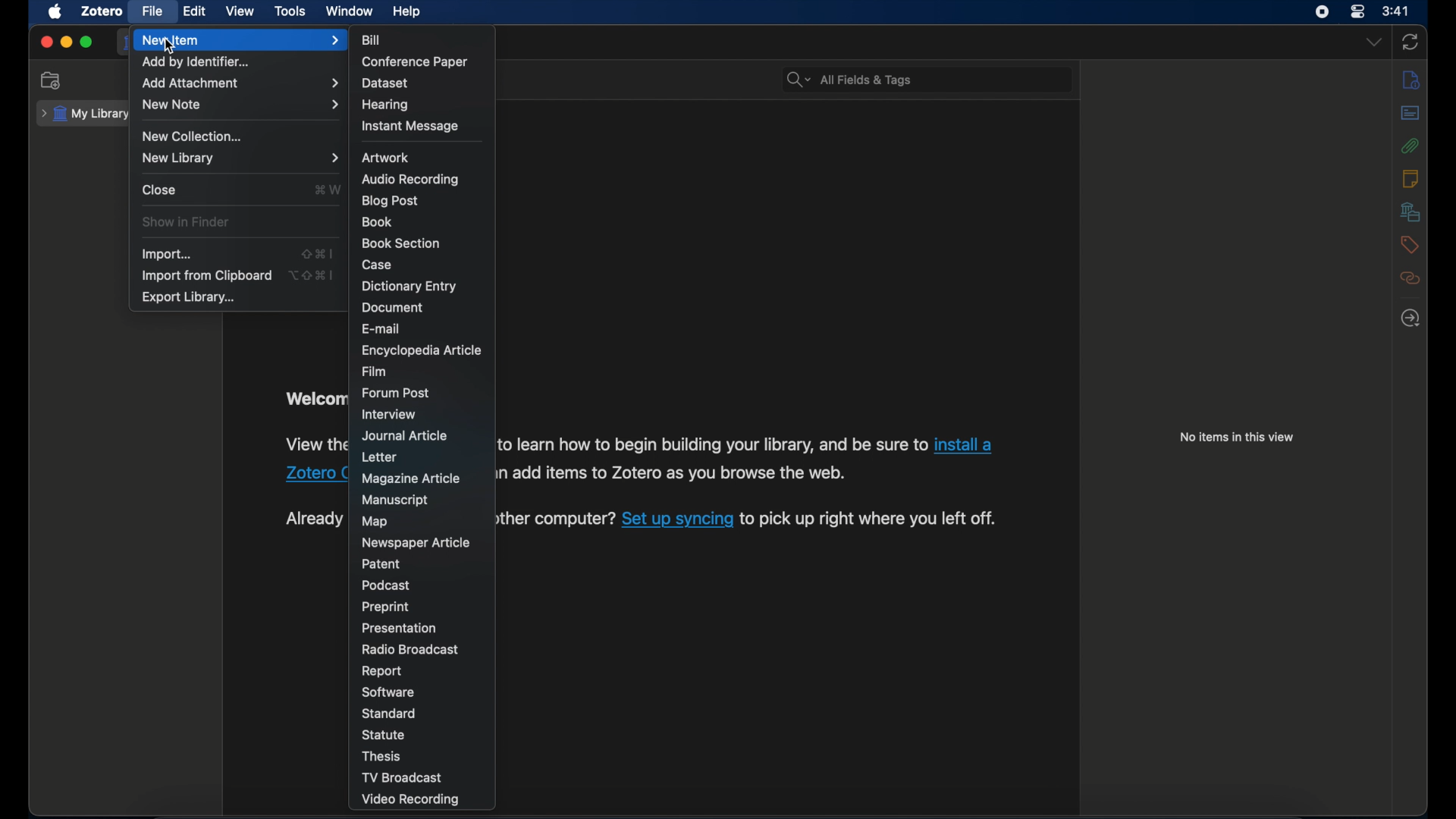 The height and width of the screenshot is (819, 1456). What do you see at coordinates (385, 158) in the screenshot?
I see `artwork` at bounding box center [385, 158].